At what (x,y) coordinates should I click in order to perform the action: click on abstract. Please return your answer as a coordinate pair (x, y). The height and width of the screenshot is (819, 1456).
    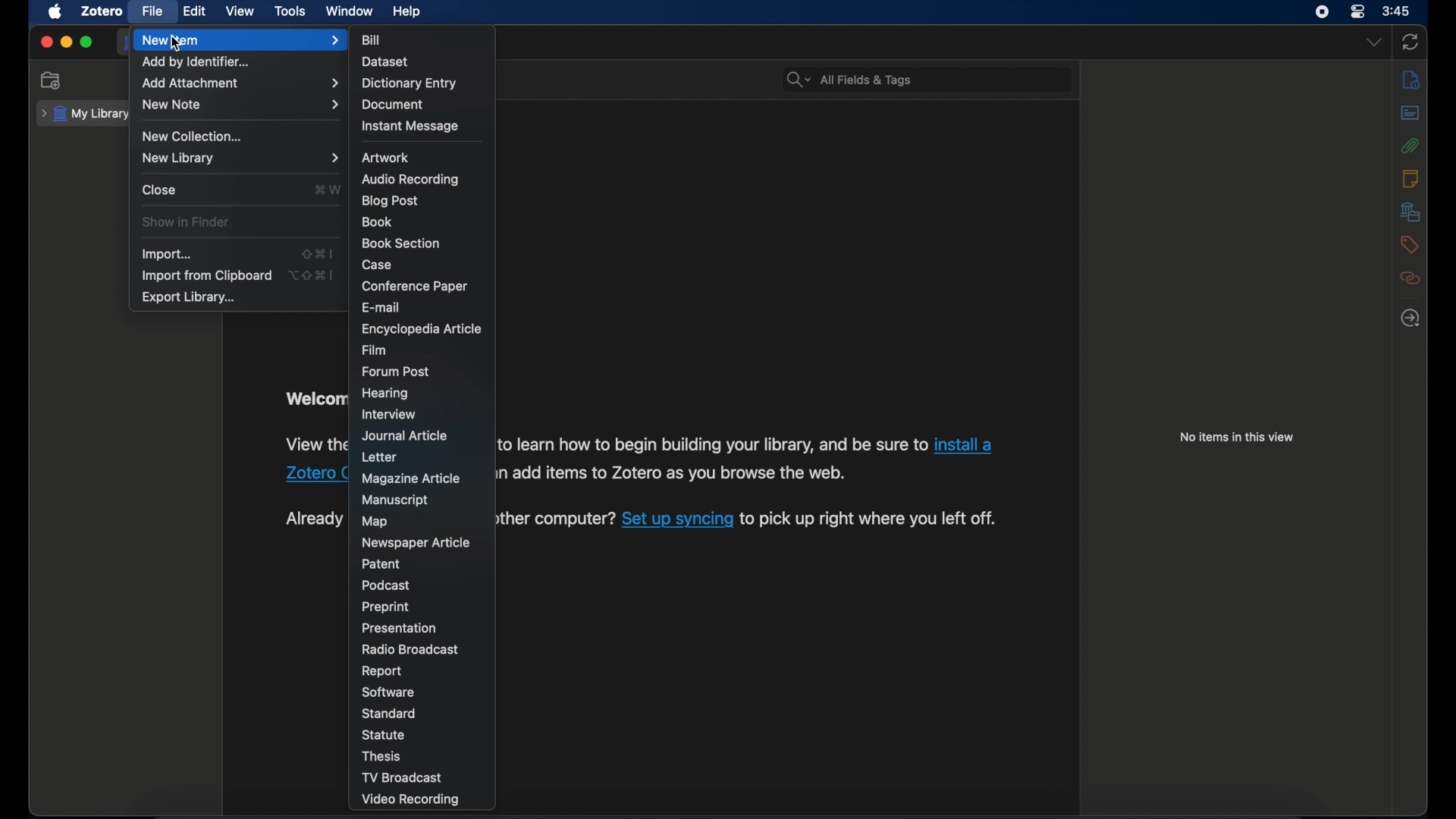
    Looking at the image, I should click on (1410, 111).